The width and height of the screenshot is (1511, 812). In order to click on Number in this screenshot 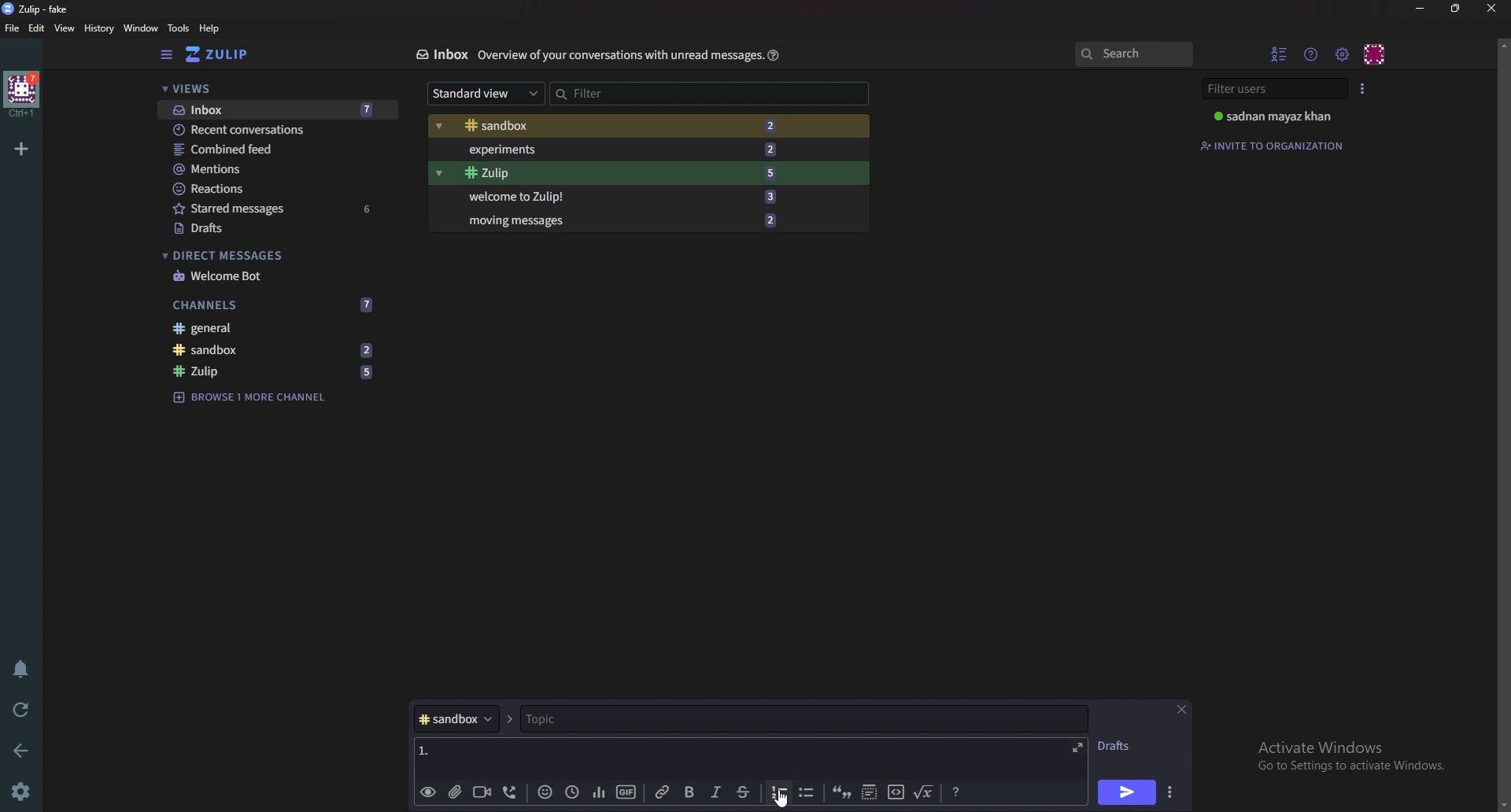, I will do `click(425, 748)`.